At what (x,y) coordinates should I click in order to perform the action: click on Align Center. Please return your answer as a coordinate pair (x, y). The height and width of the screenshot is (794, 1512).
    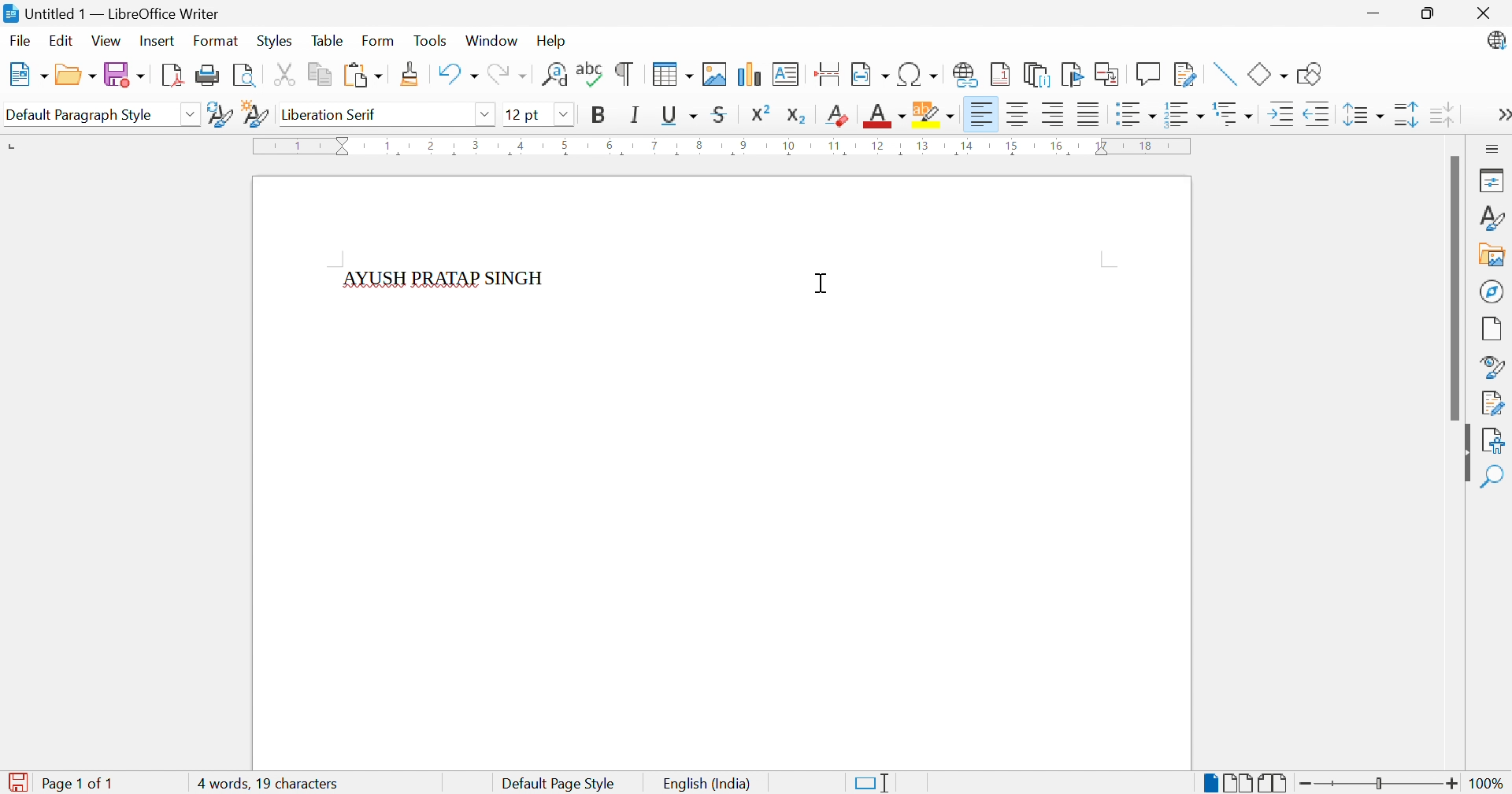
    Looking at the image, I should click on (1017, 114).